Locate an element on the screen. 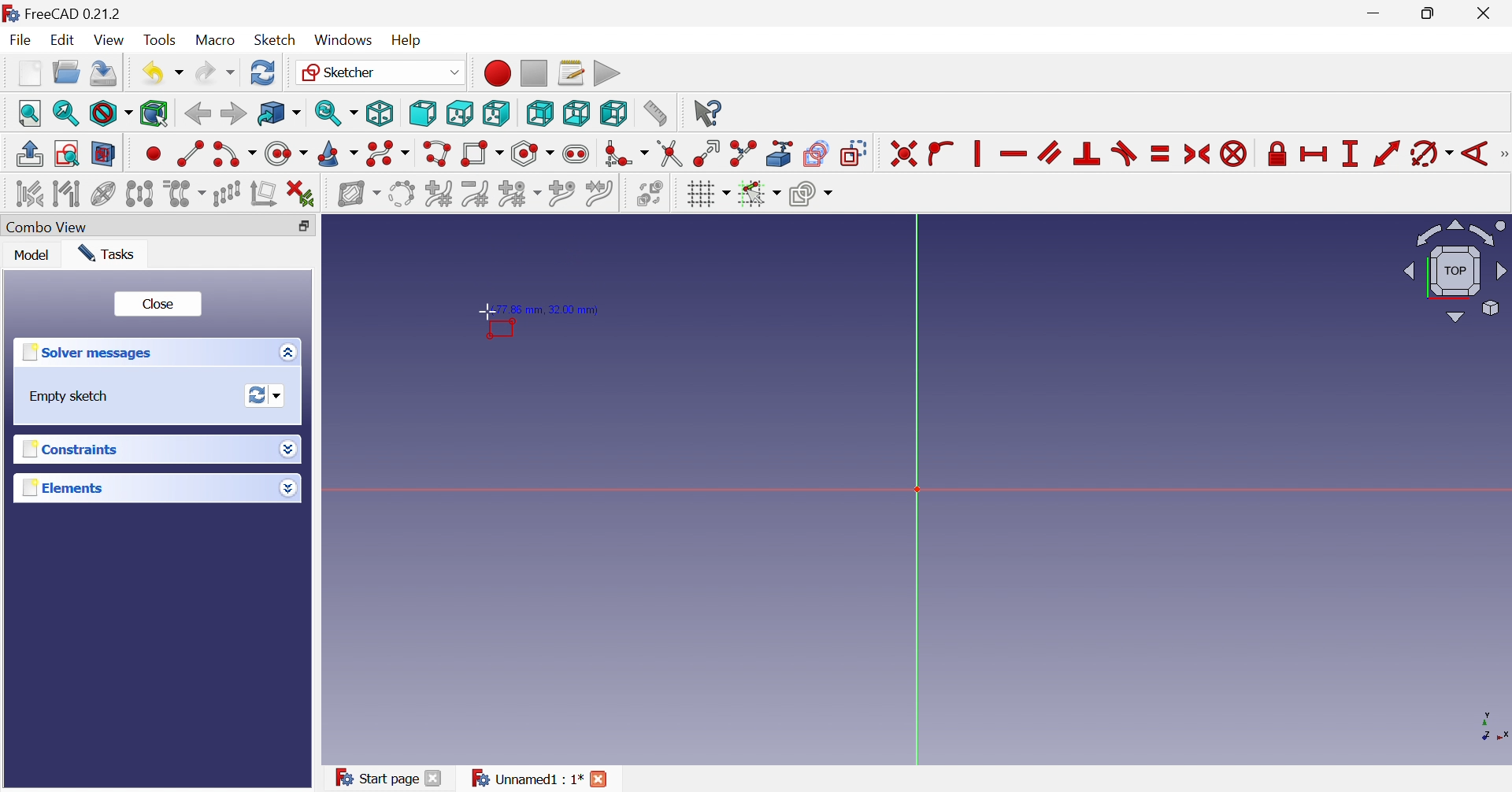  Draw style is located at coordinates (110, 114).